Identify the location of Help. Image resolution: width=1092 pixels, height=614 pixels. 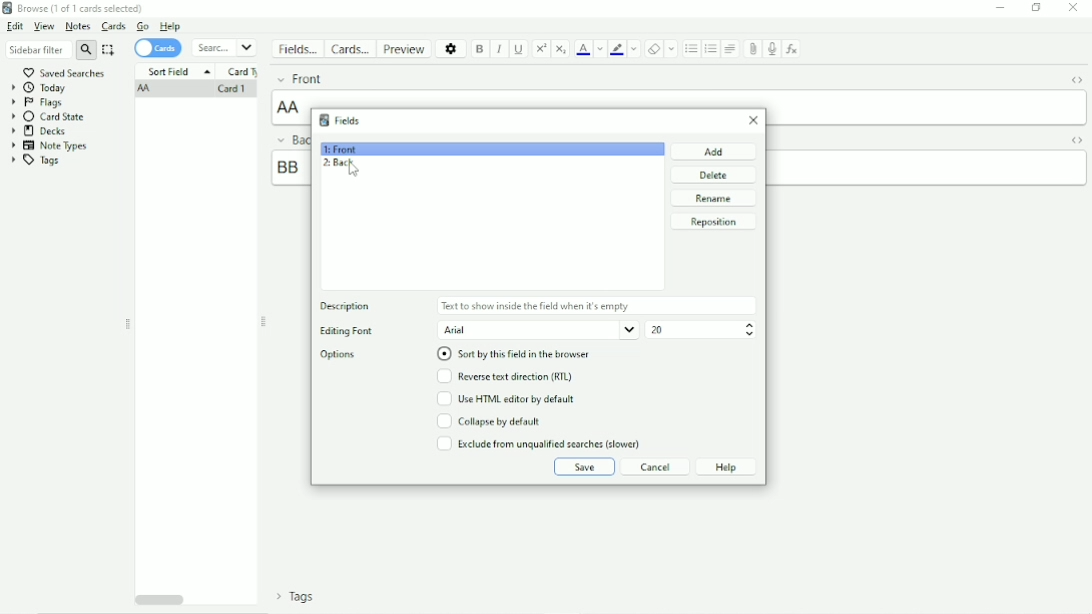
(726, 467).